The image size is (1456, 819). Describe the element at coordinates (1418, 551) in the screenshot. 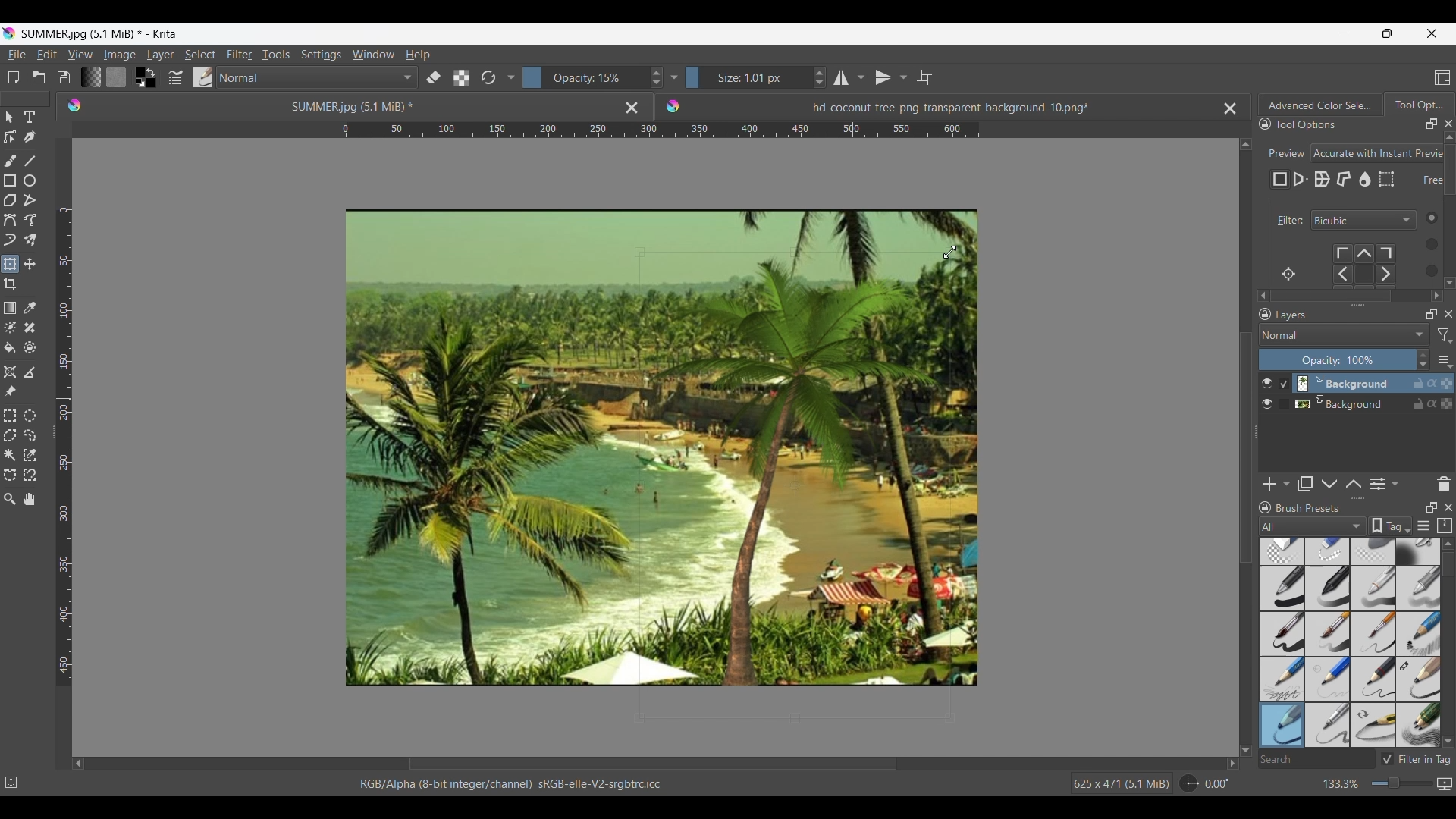

I see `airbrush soft` at that location.